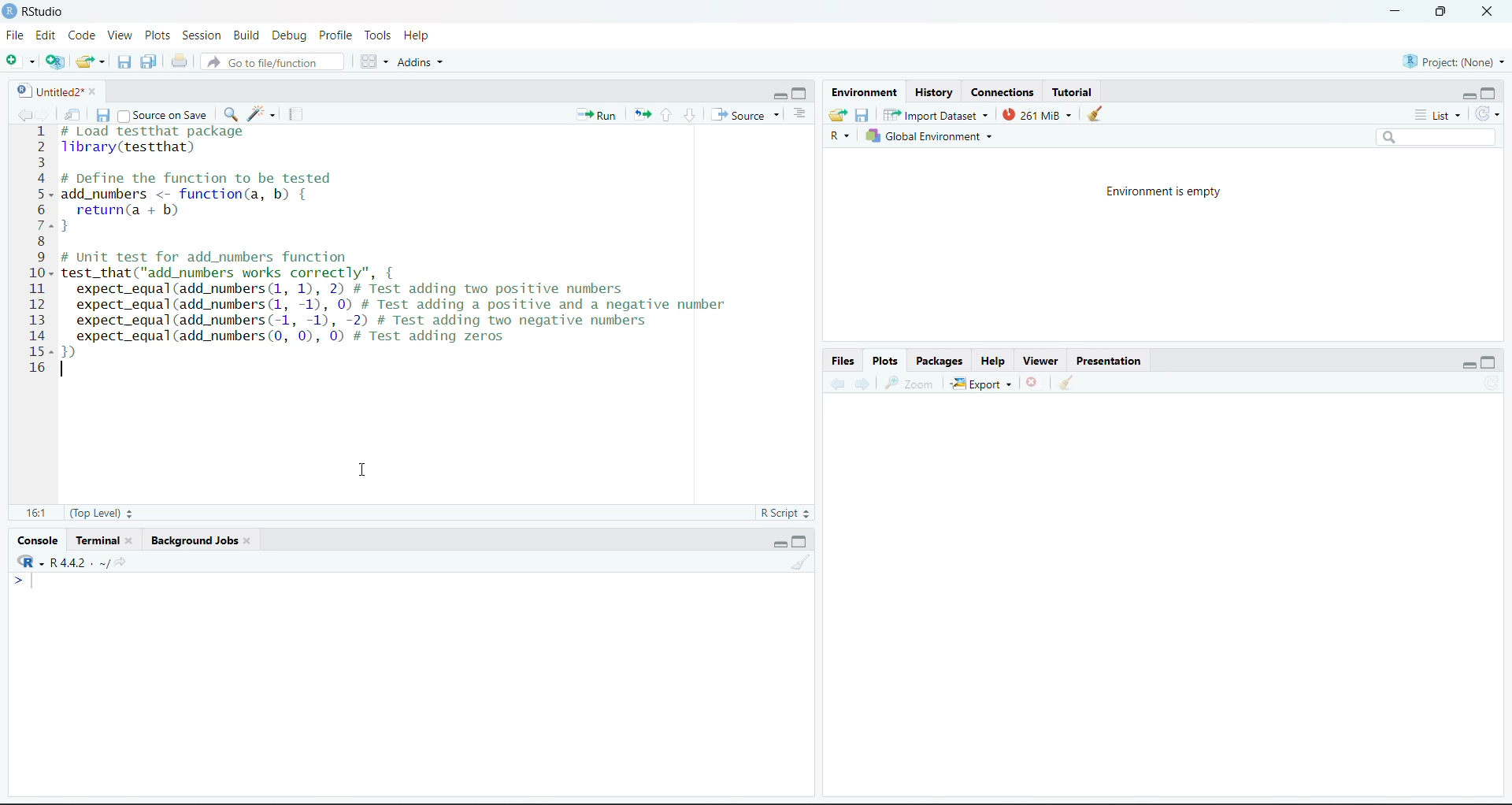  I want to click on R Script, so click(777, 513).